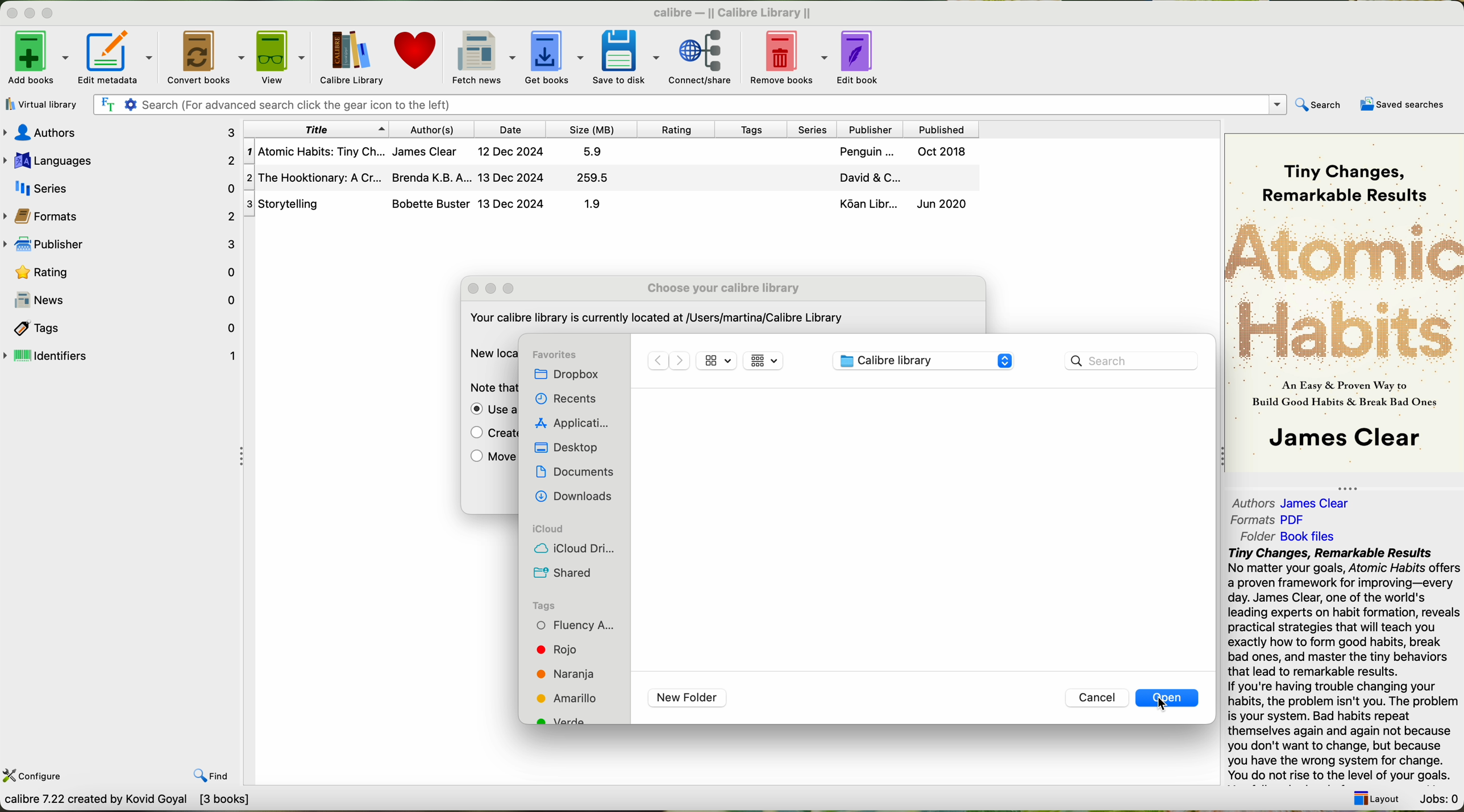 The height and width of the screenshot is (812, 1464). What do you see at coordinates (437, 177) in the screenshot?
I see `2| The Hooktionary: A Cr... Brenda K.B. A... 13 Dec 2024 259.5` at bounding box center [437, 177].